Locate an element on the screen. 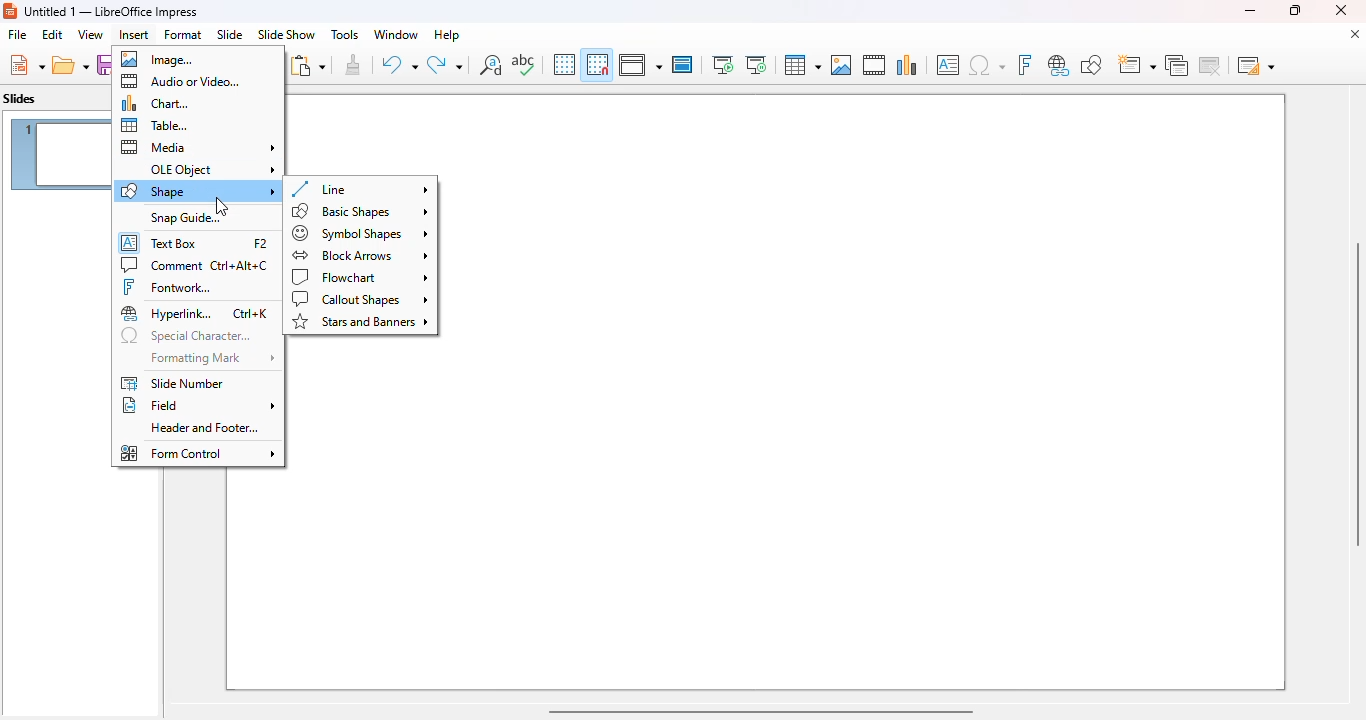 The height and width of the screenshot is (720, 1366). hyperlink is located at coordinates (195, 314).